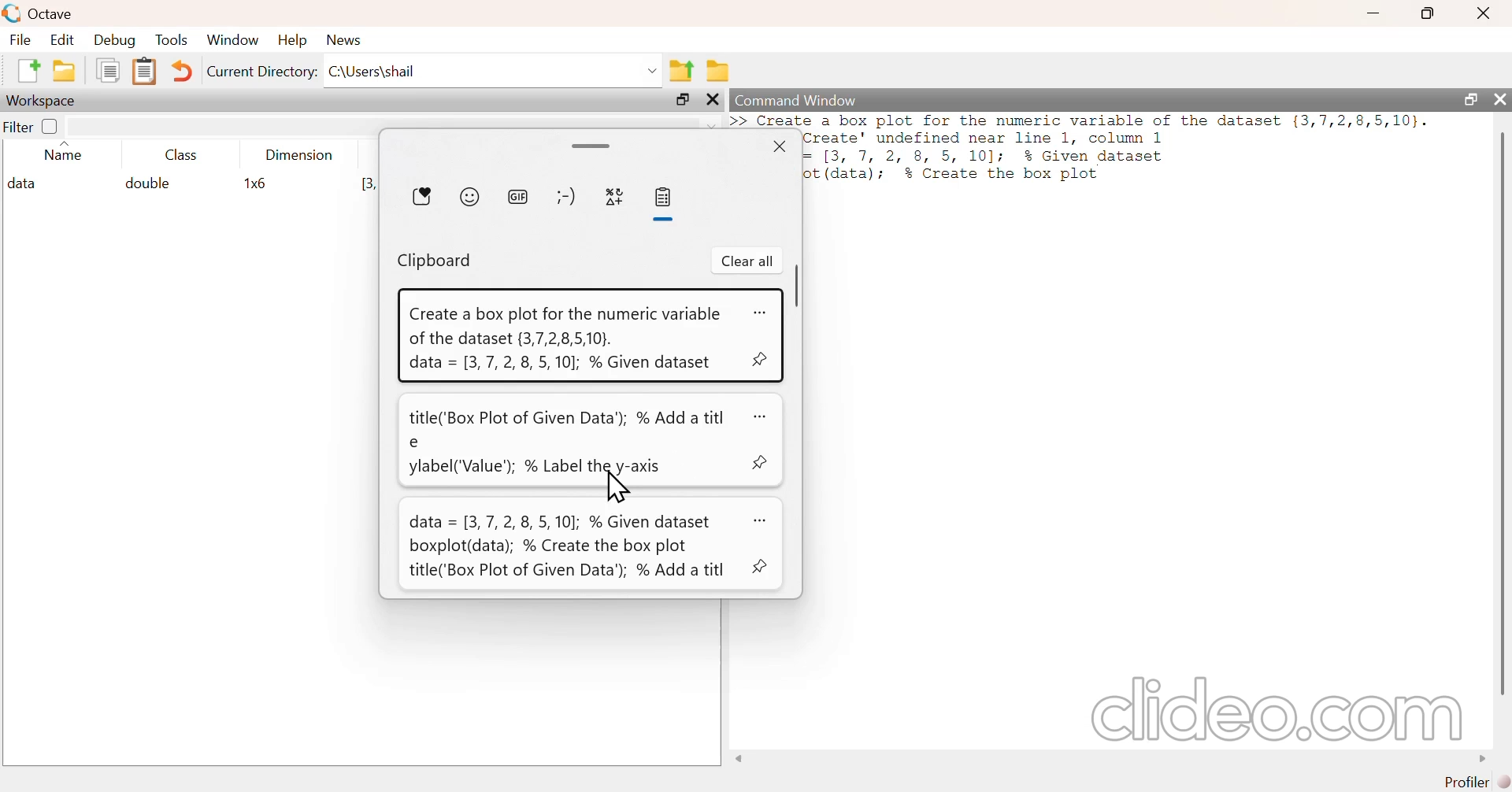  I want to click on news, so click(345, 40).